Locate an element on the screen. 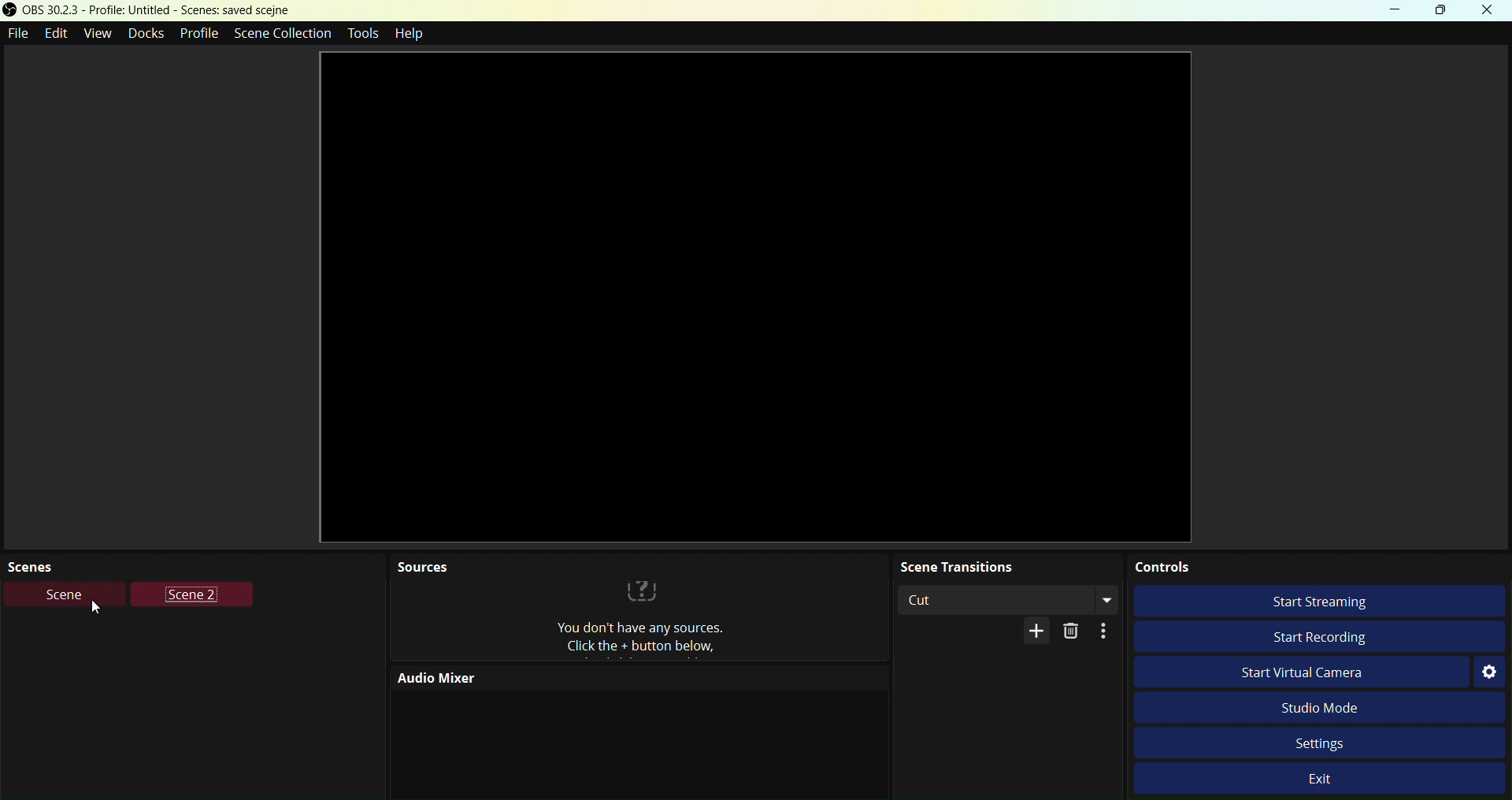 This screenshot has width=1512, height=800. Exit is located at coordinates (1321, 778).